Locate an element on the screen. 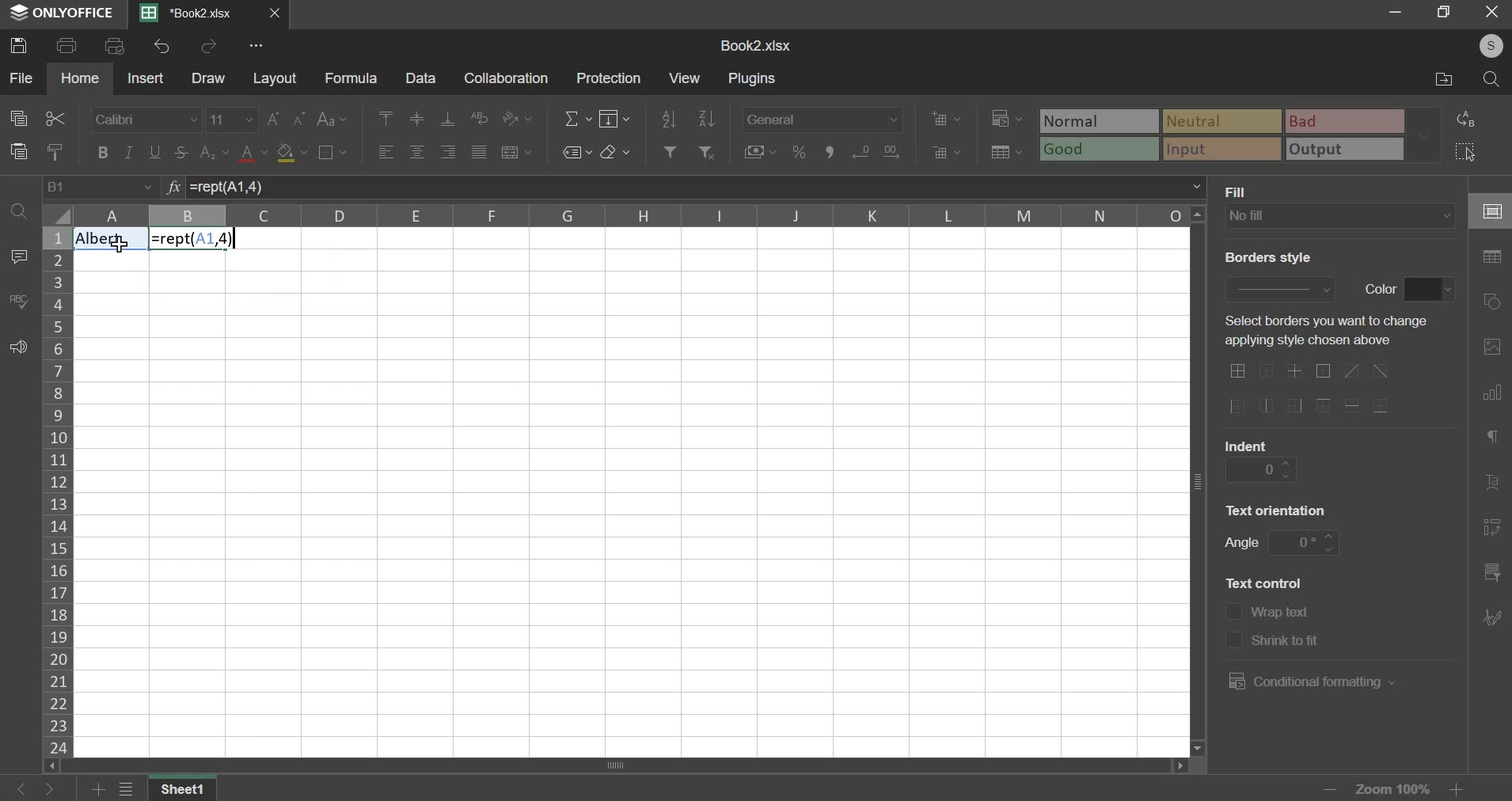 The image size is (1512, 801). formula is located at coordinates (352, 78).